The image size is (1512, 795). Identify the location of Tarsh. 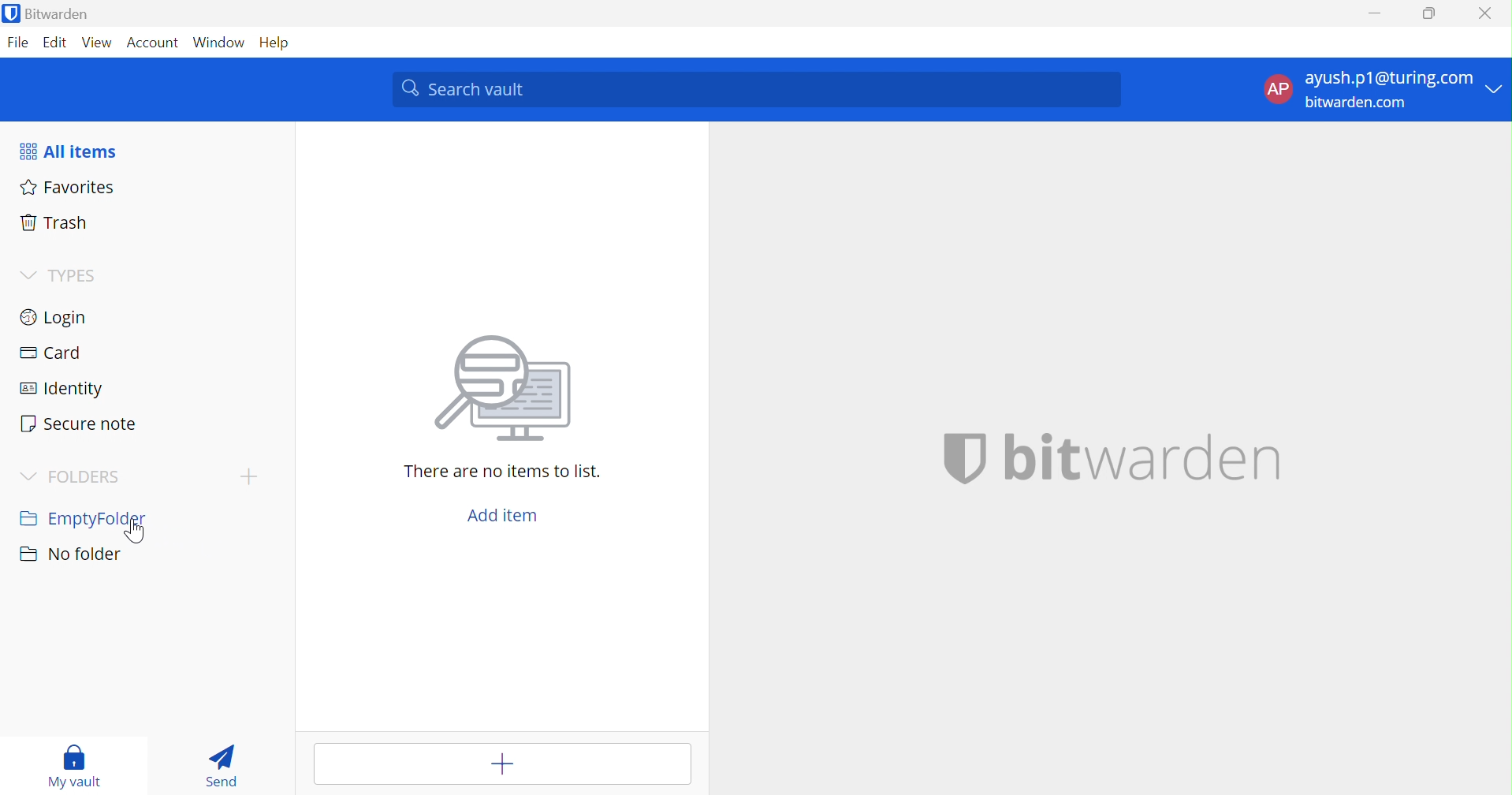
(59, 222).